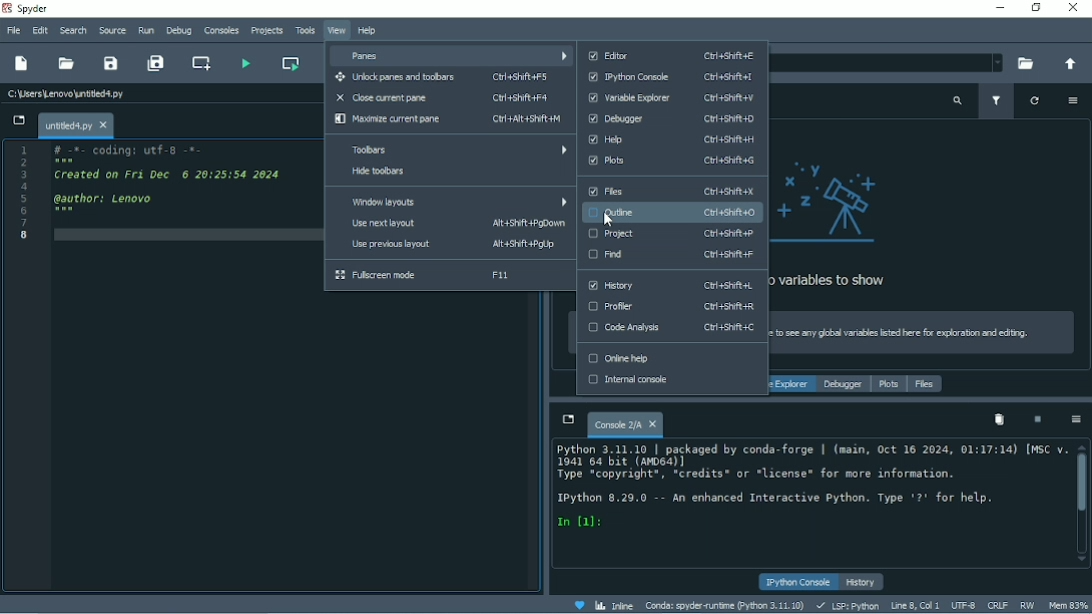  I want to click on Refresh variables, so click(1033, 101).